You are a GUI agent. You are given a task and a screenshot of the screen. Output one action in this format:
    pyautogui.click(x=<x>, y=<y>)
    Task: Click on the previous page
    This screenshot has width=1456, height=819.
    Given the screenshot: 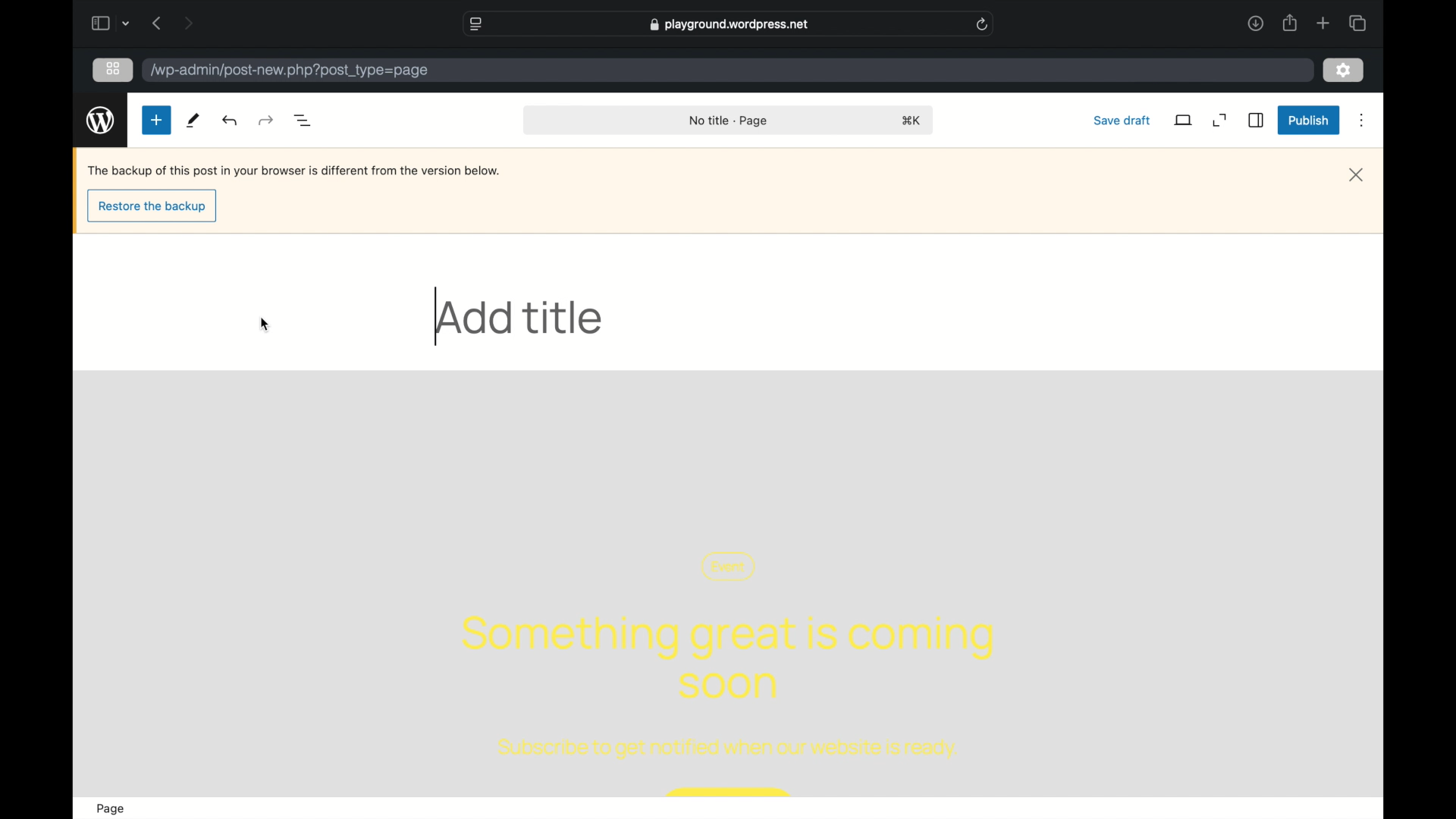 What is the action you would take?
    pyautogui.click(x=158, y=24)
    